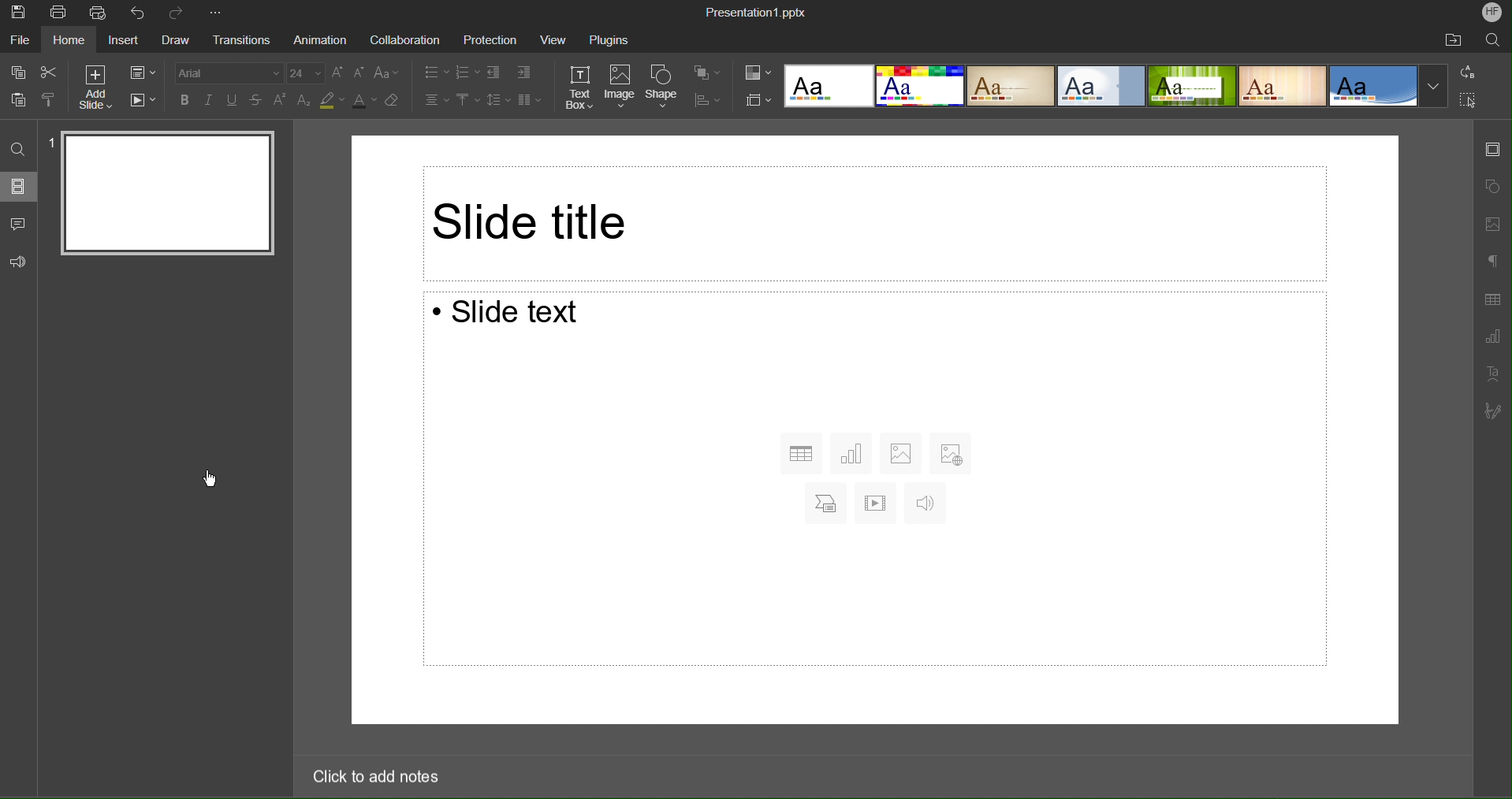  What do you see at coordinates (17, 13) in the screenshot?
I see `Save` at bounding box center [17, 13].